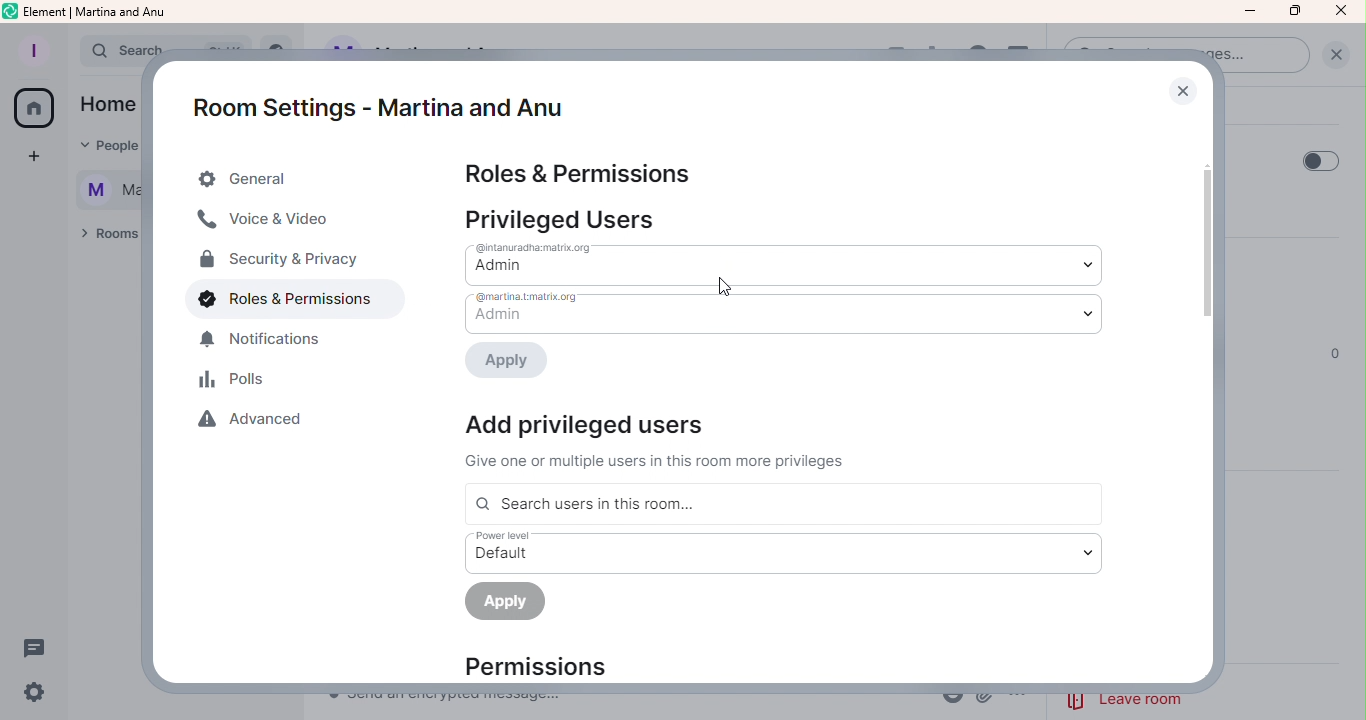  Describe the element at coordinates (727, 284) in the screenshot. I see `Cursor` at that location.